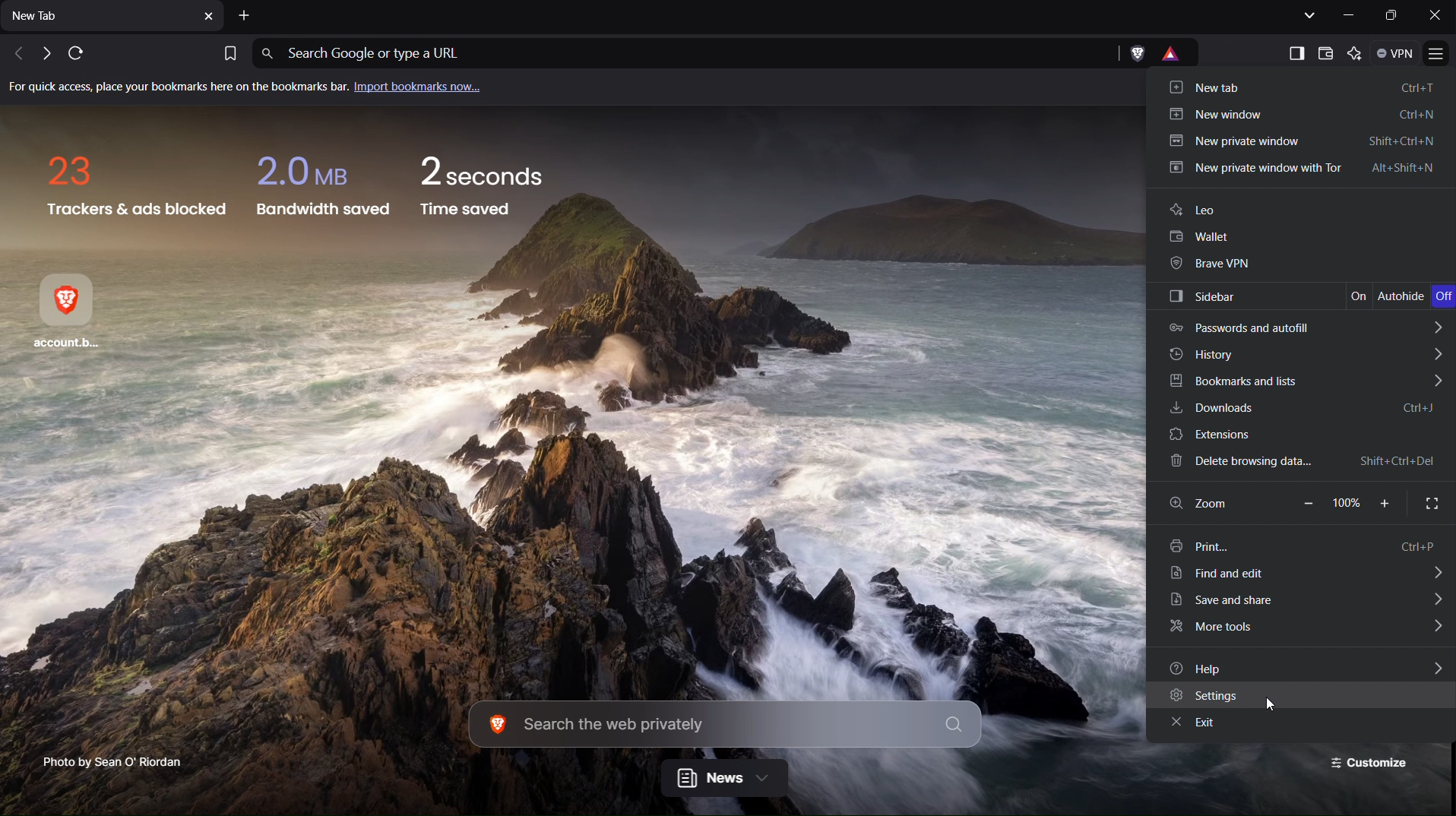 The image size is (1456, 816). I want to click on Add New Tab, so click(246, 16).